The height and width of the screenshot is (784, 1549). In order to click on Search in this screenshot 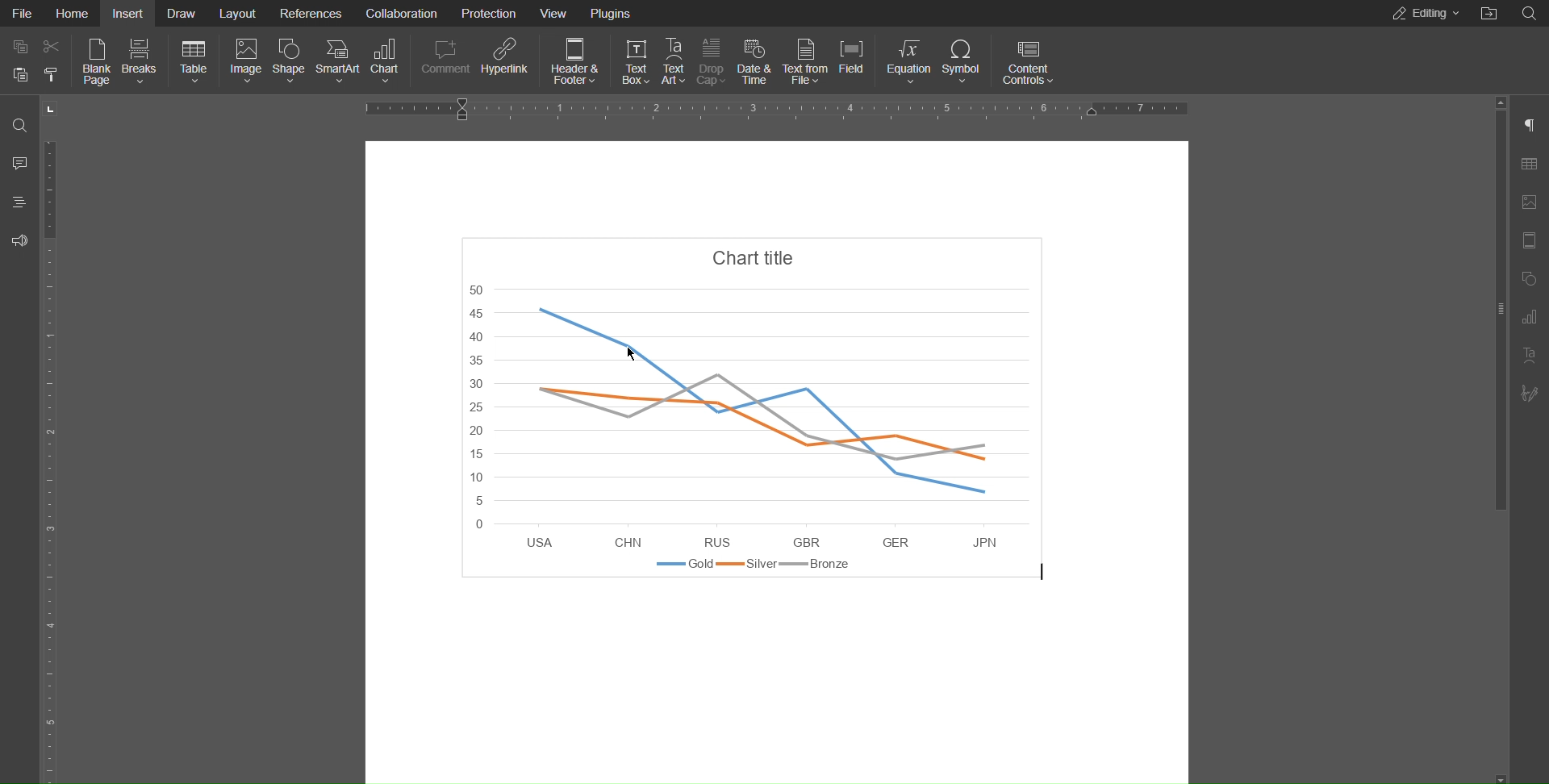, I will do `click(1529, 14)`.